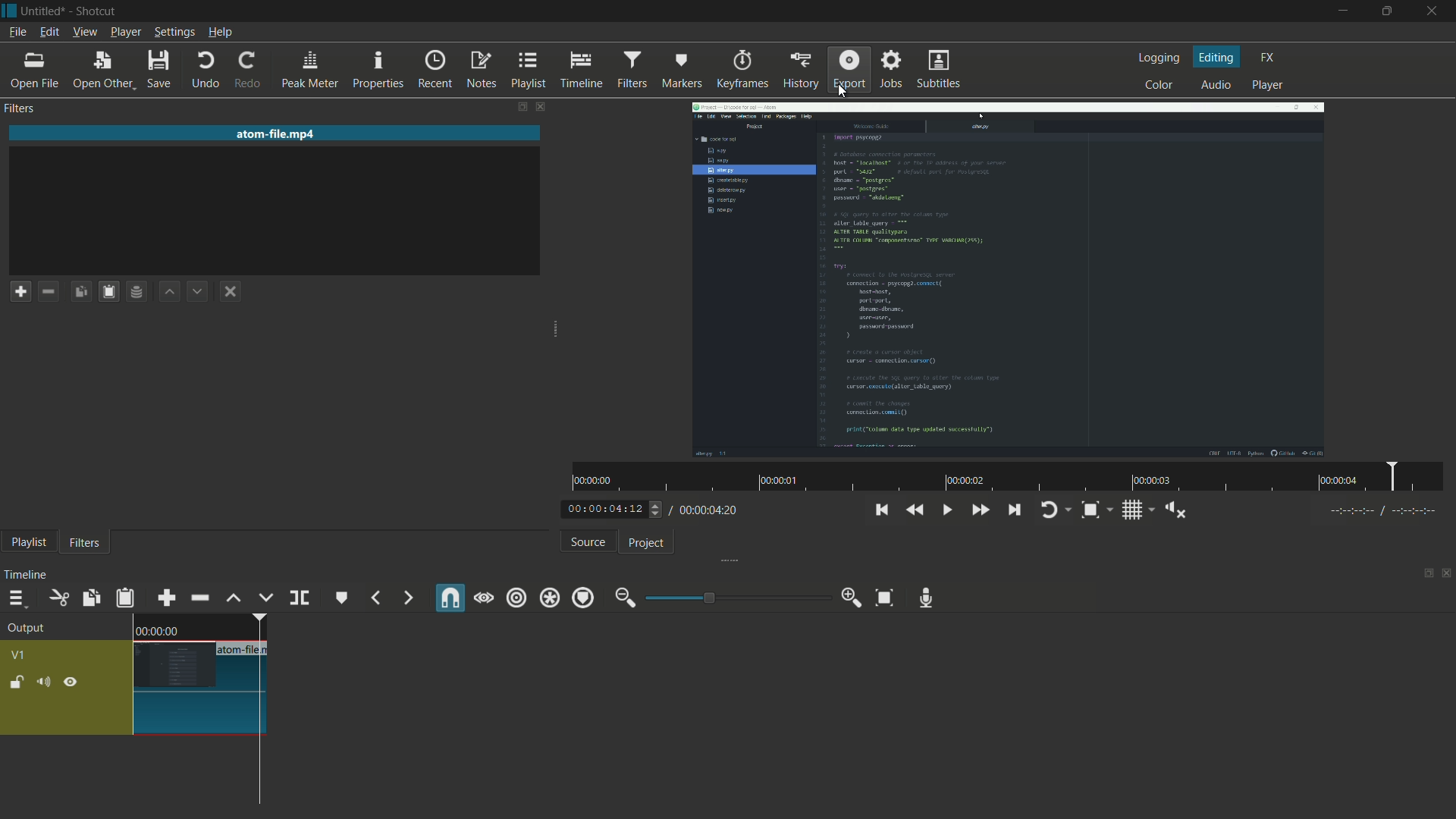  What do you see at coordinates (171, 290) in the screenshot?
I see `move filter up` at bounding box center [171, 290].